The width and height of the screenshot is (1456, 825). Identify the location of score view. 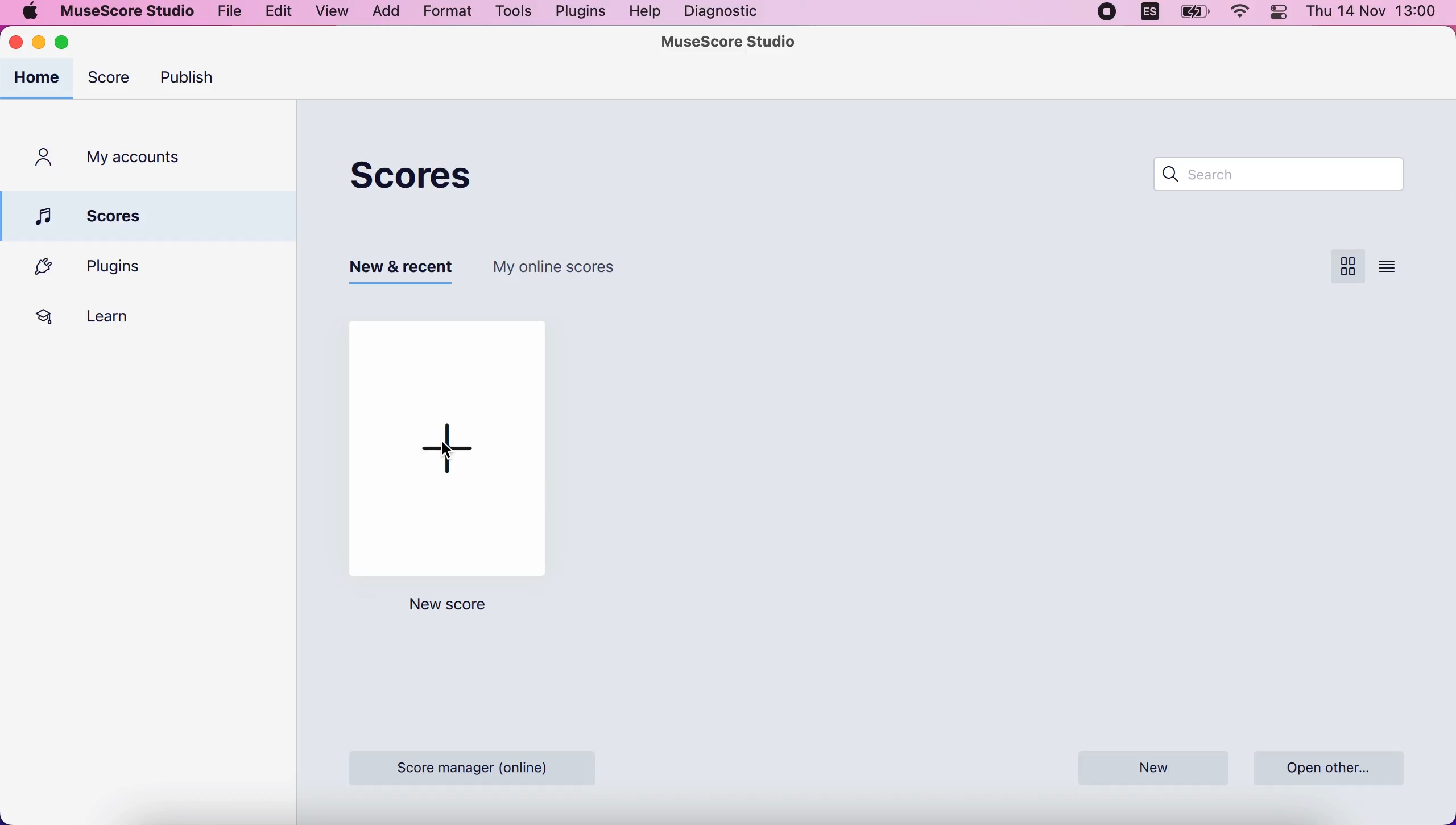
(1346, 267).